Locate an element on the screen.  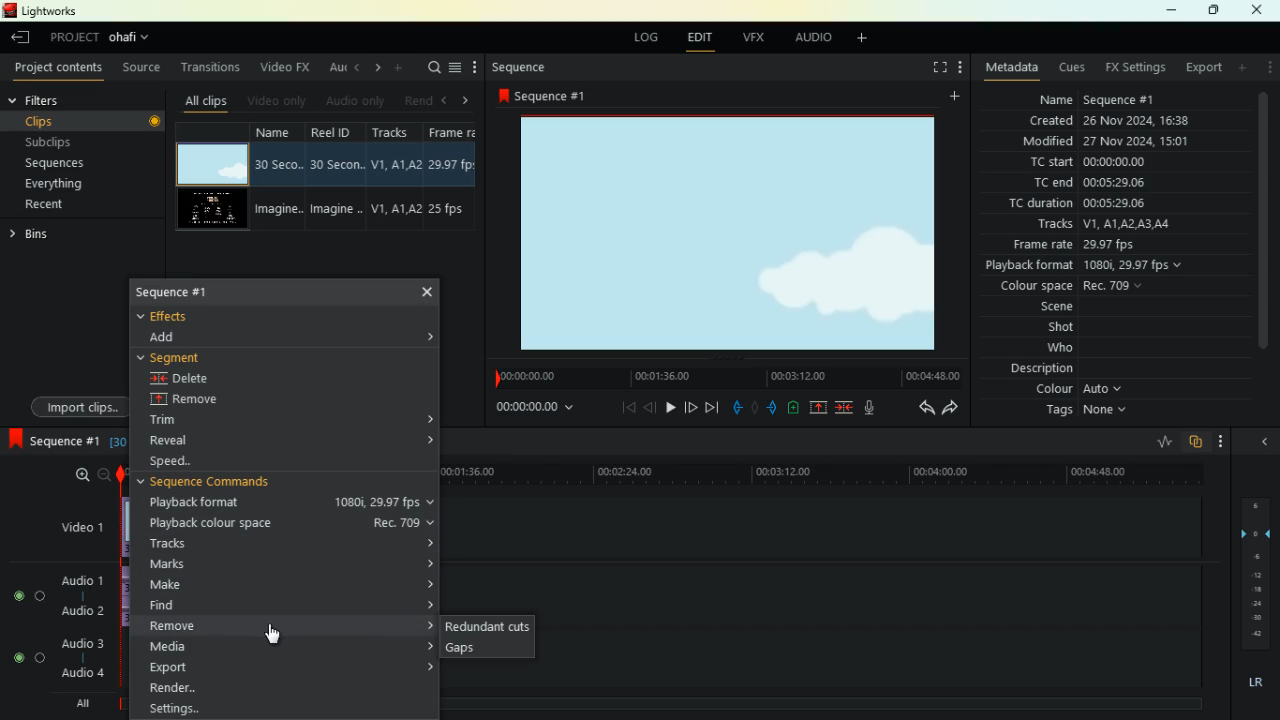
fx settings is located at coordinates (1131, 68).